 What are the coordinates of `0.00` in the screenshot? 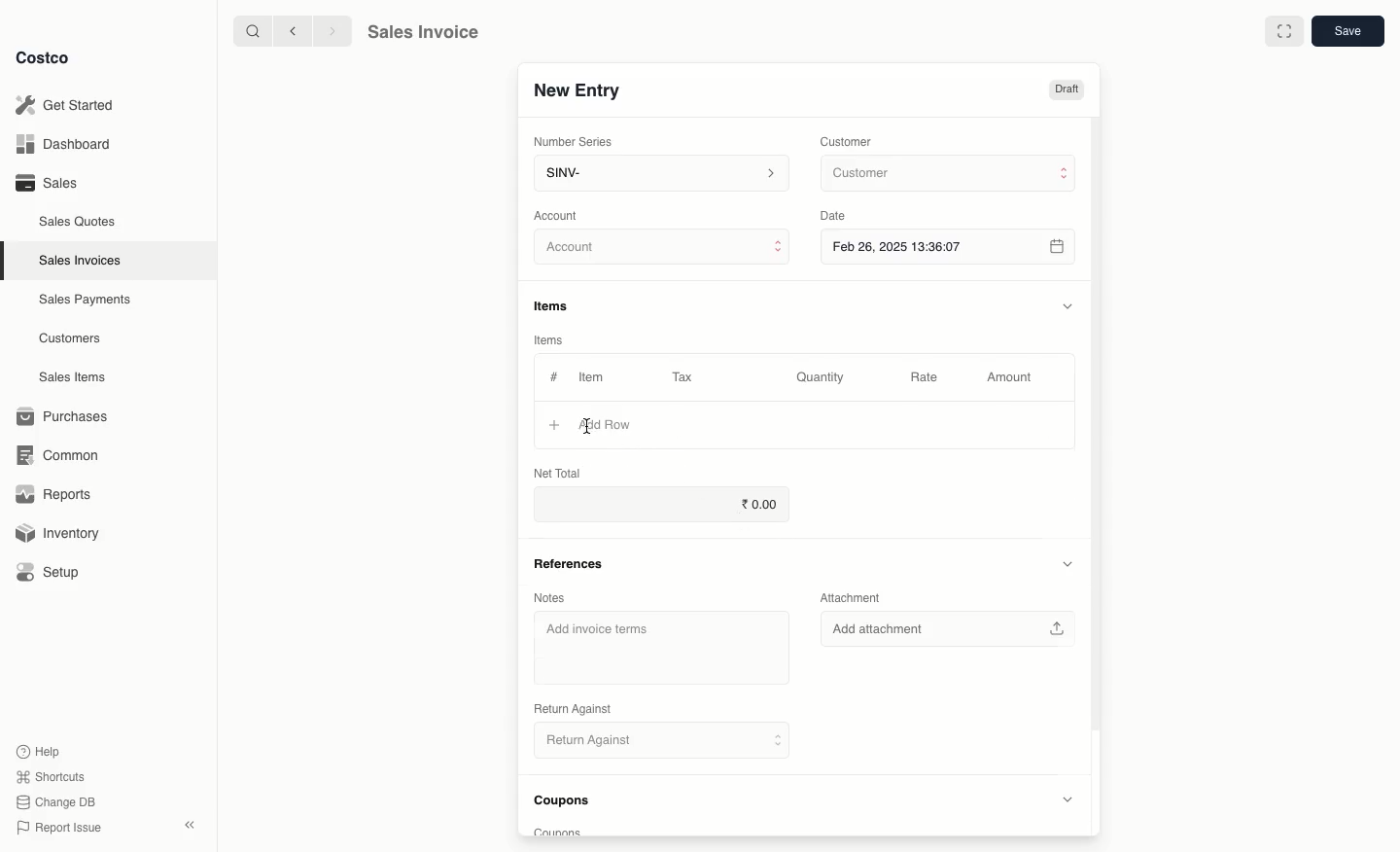 It's located at (759, 504).